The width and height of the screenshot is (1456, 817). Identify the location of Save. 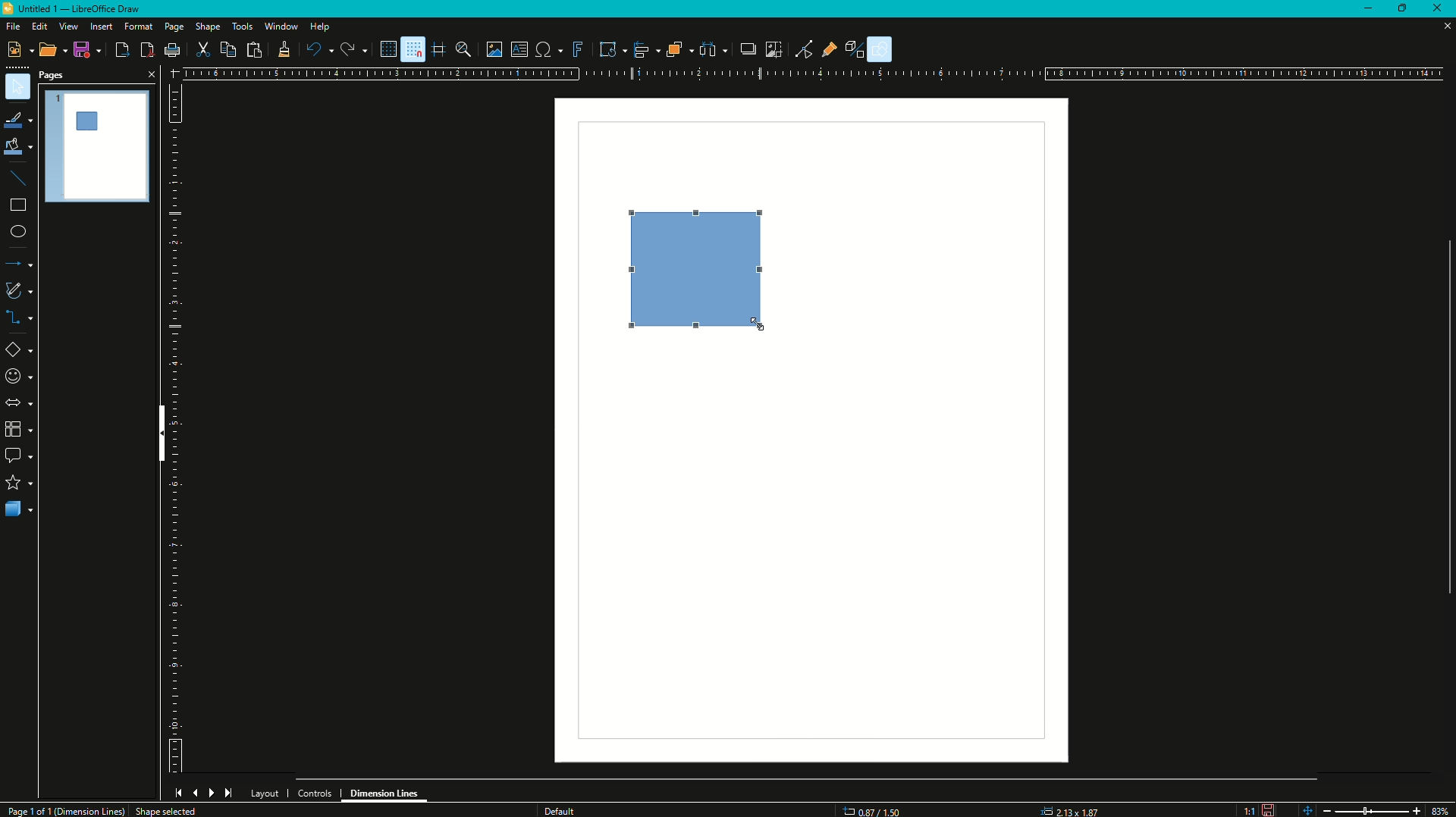
(85, 51).